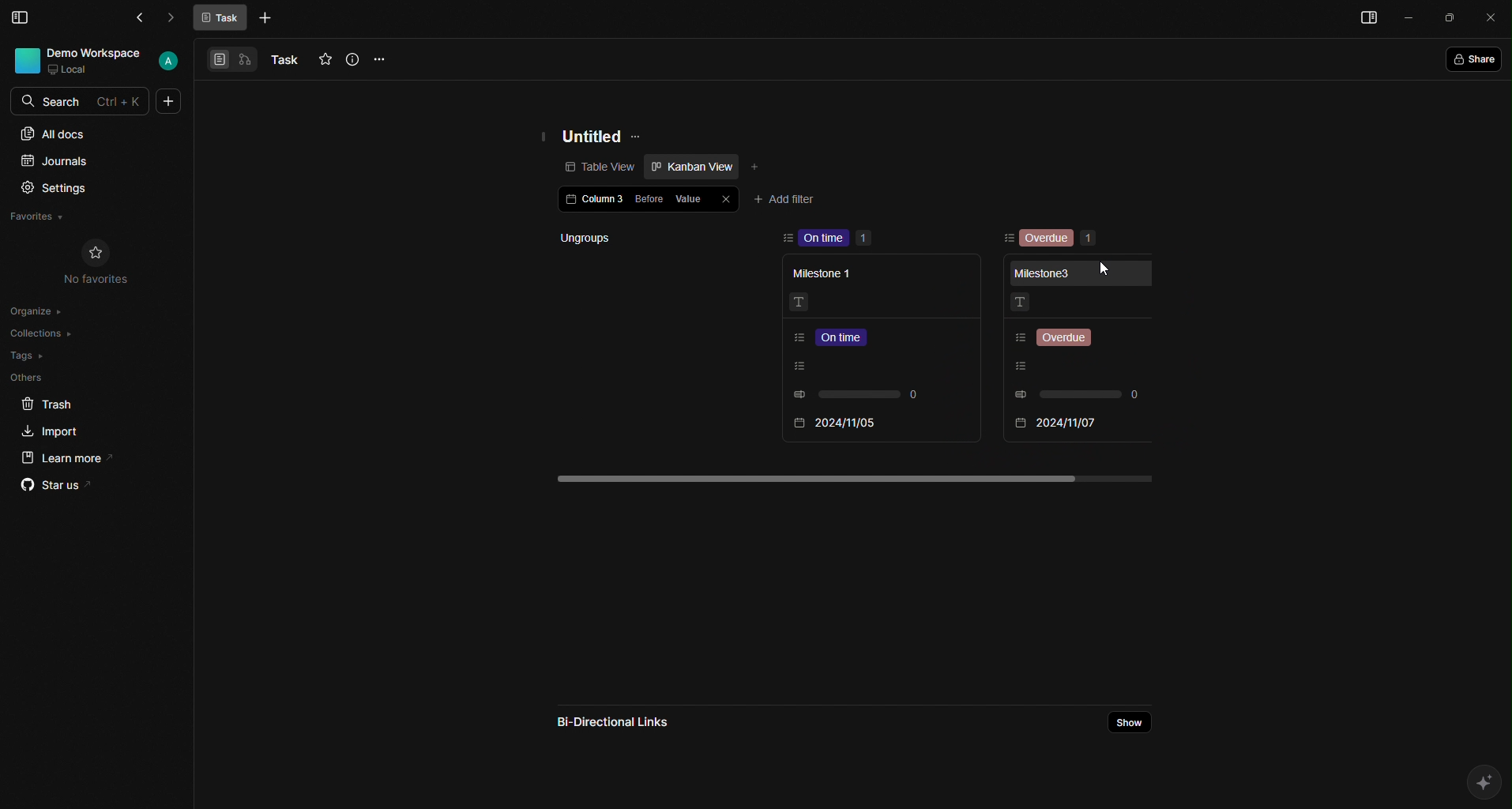 This screenshot has width=1512, height=809. I want to click on Milestone 1, so click(829, 274).